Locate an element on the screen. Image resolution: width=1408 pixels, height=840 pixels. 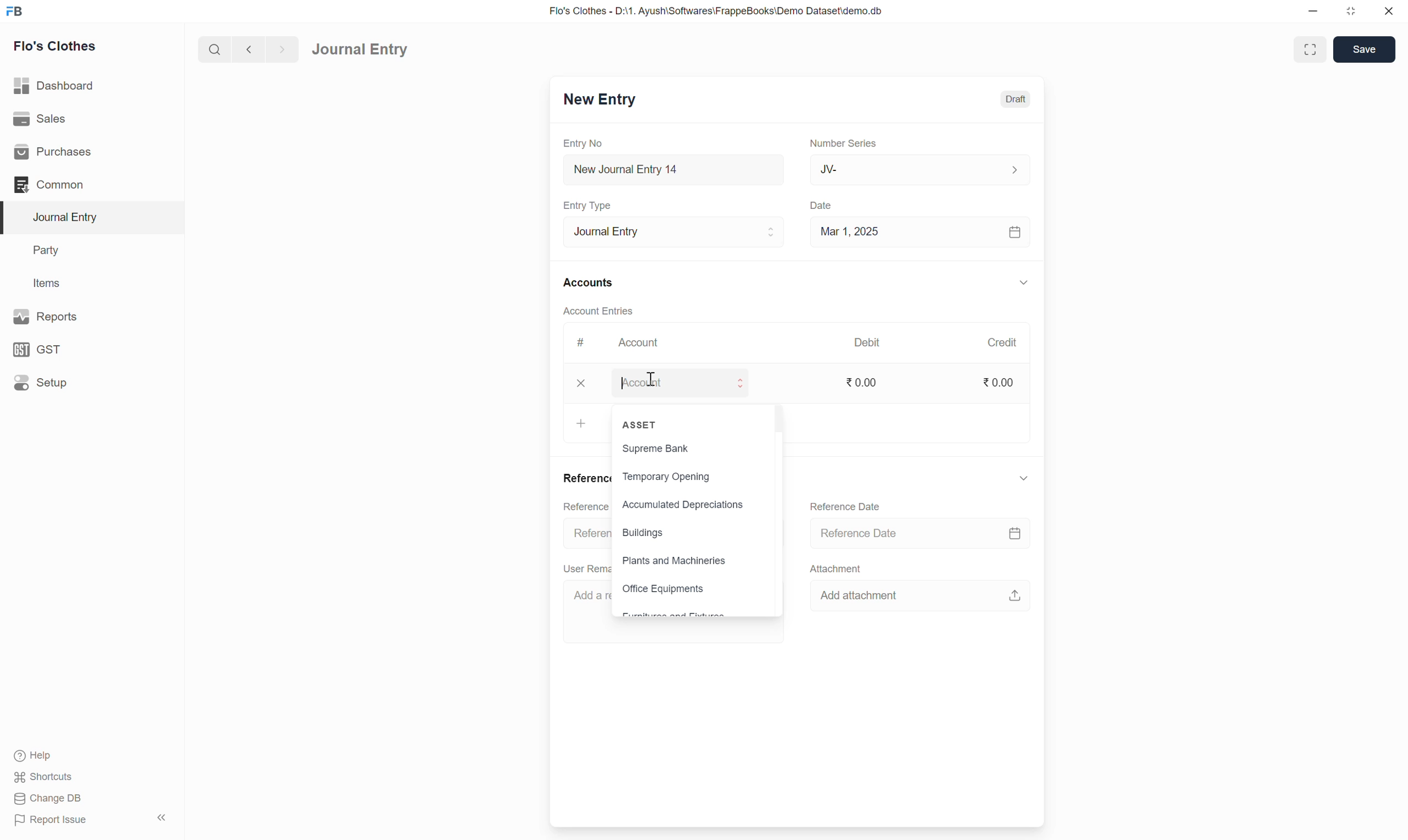
search is located at coordinates (213, 49).